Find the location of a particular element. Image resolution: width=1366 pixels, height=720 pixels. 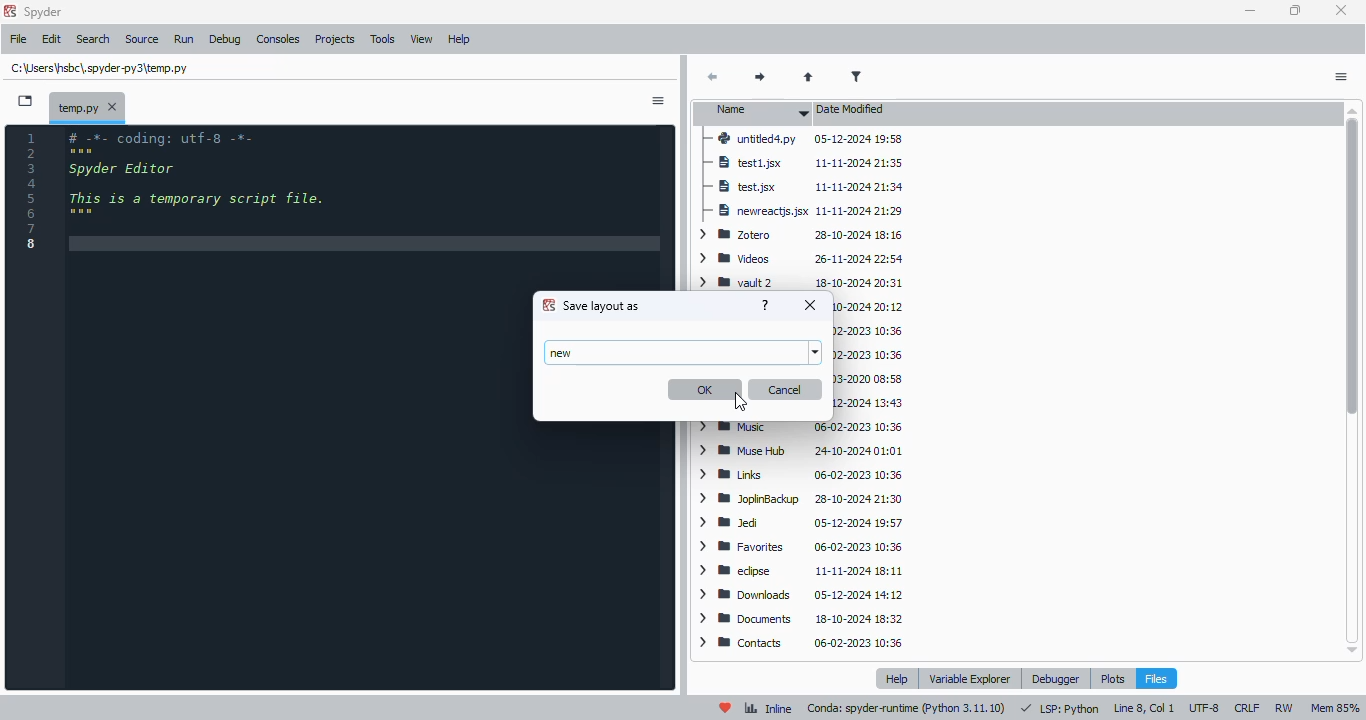

tools is located at coordinates (383, 39).